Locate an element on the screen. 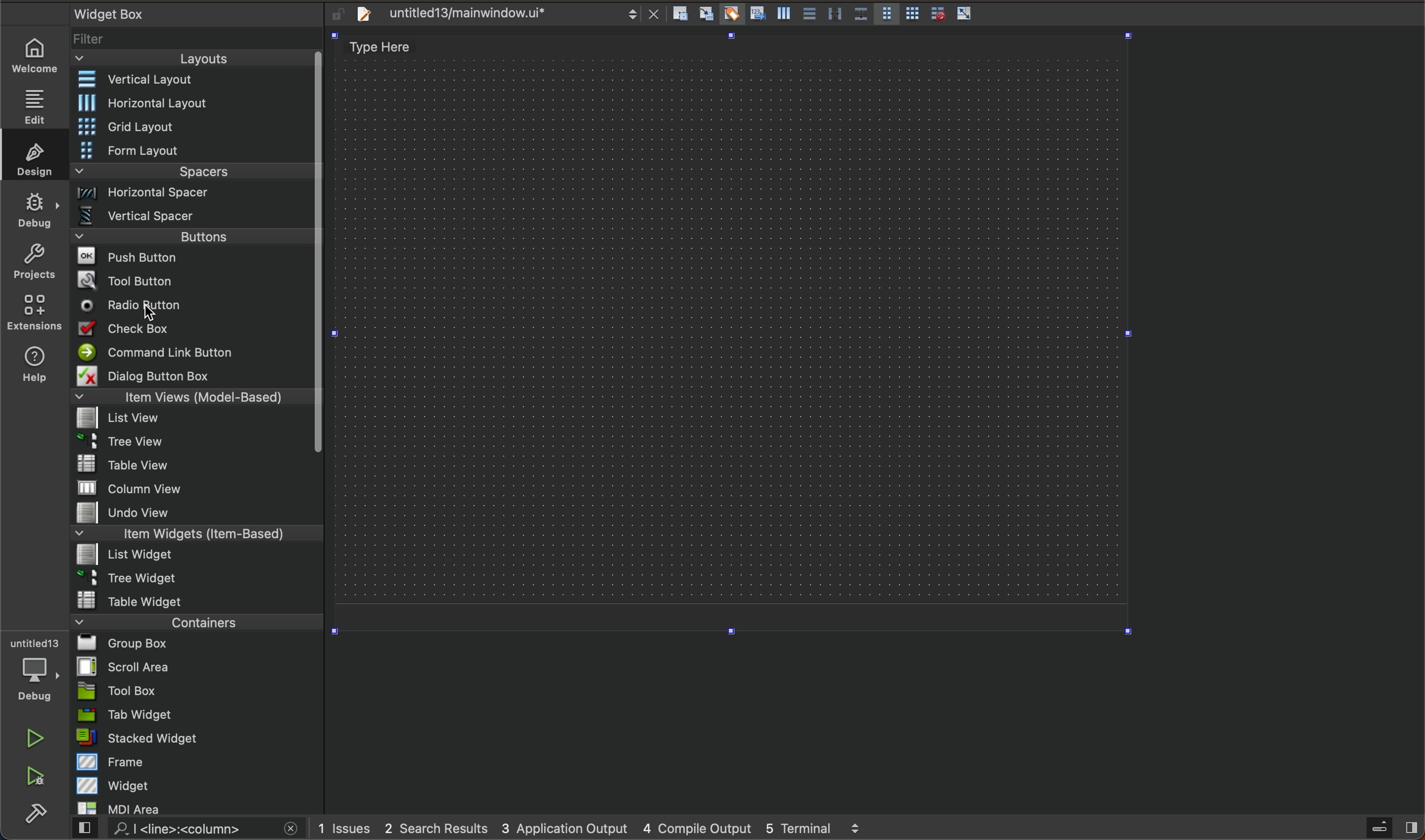 The width and height of the screenshot is (1425, 840). Vertical layout  is located at coordinates (194, 80).